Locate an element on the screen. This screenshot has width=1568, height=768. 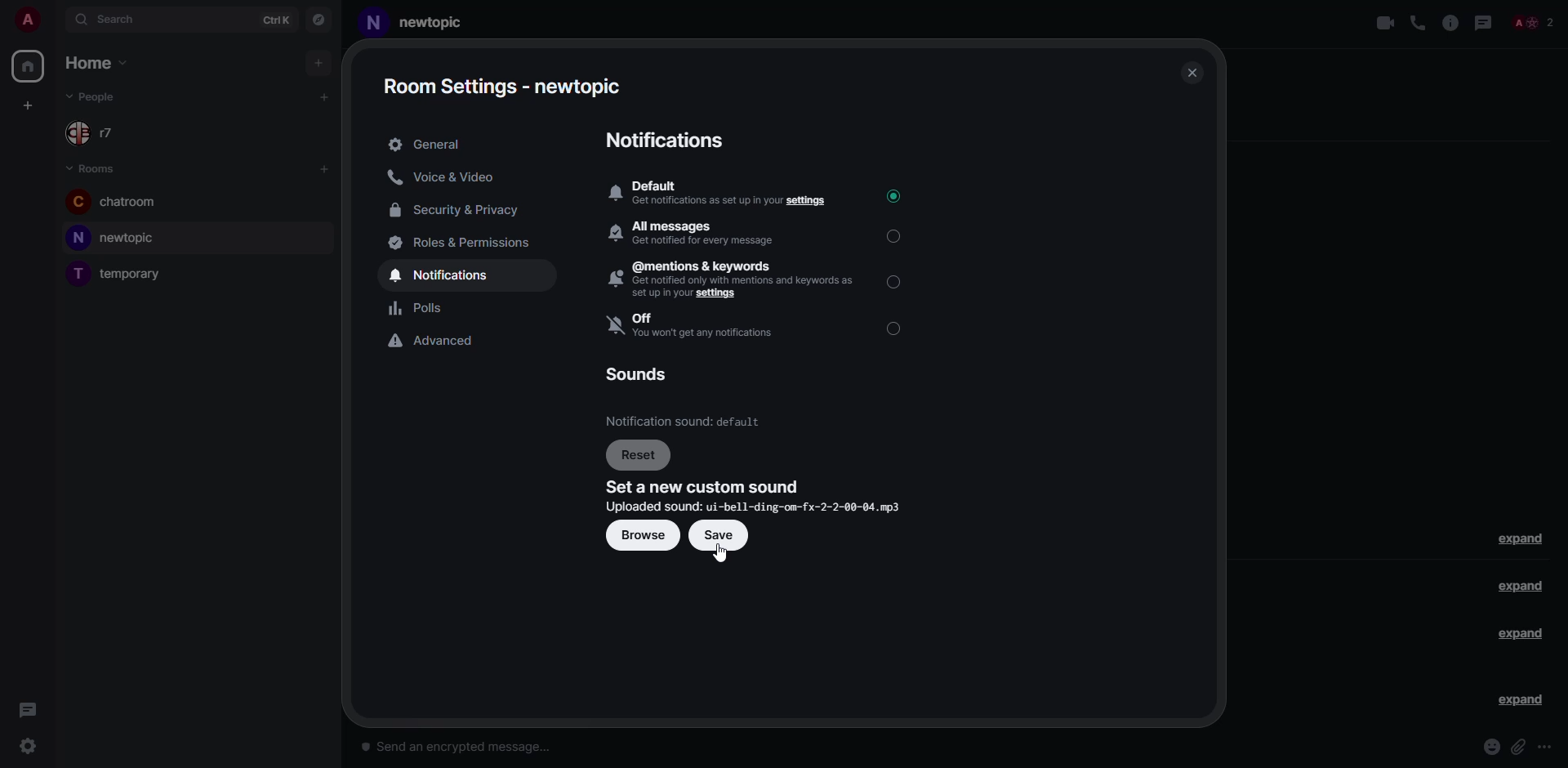
expand is located at coordinates (1519, 700).